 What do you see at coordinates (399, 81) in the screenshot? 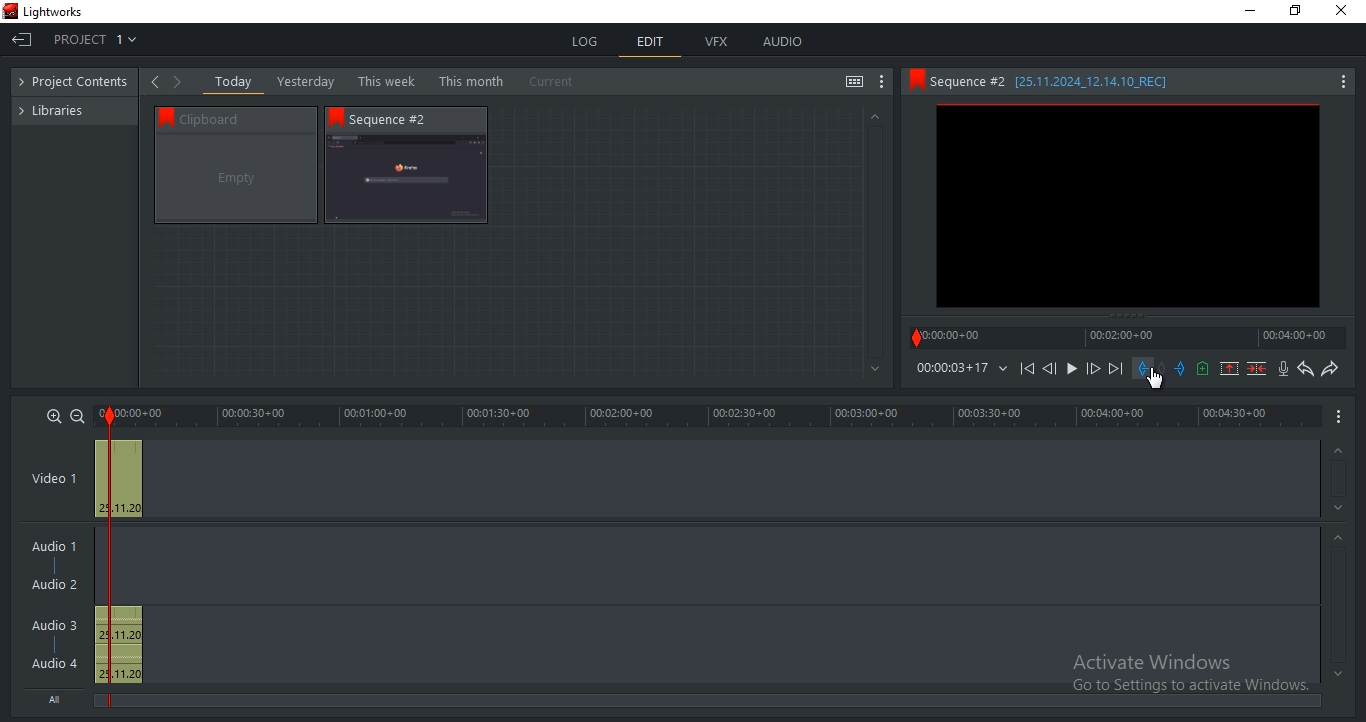
I see `Today, yesterday, This week, This month, Current` at bounding box center [399, 81].